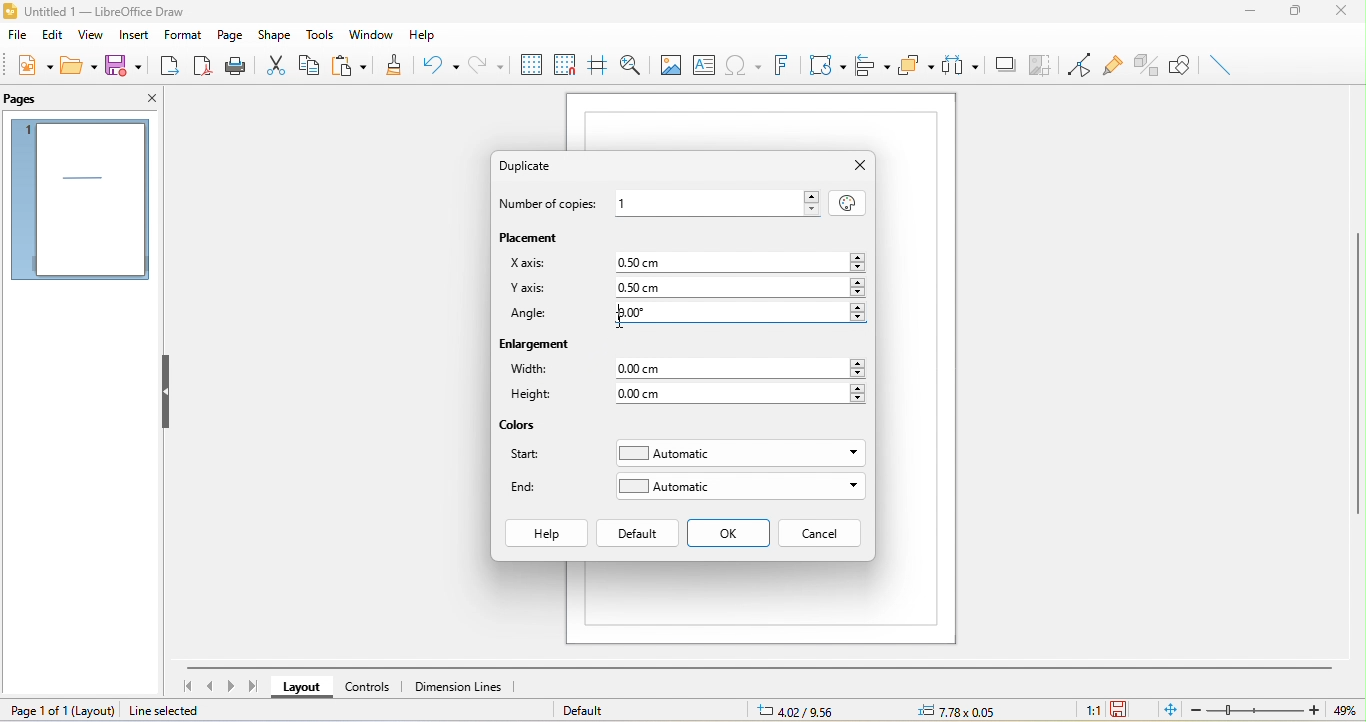 This screenshot has width=1366, height=722. Describe the element at coordinates (538, 347) in the screenshot. I see `enlargement` at that location.